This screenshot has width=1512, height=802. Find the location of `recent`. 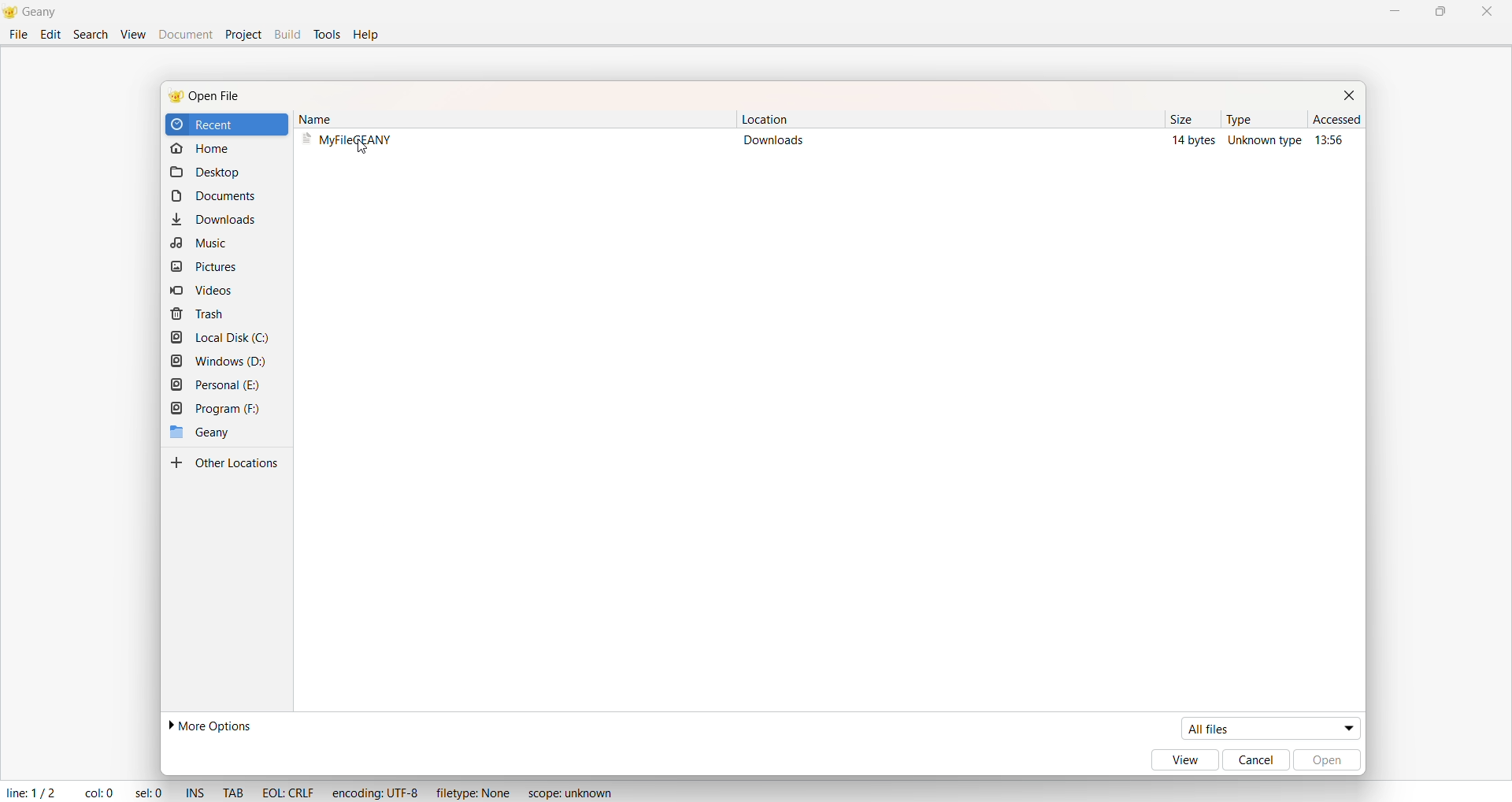

recent is located at coordinates (214, 124).